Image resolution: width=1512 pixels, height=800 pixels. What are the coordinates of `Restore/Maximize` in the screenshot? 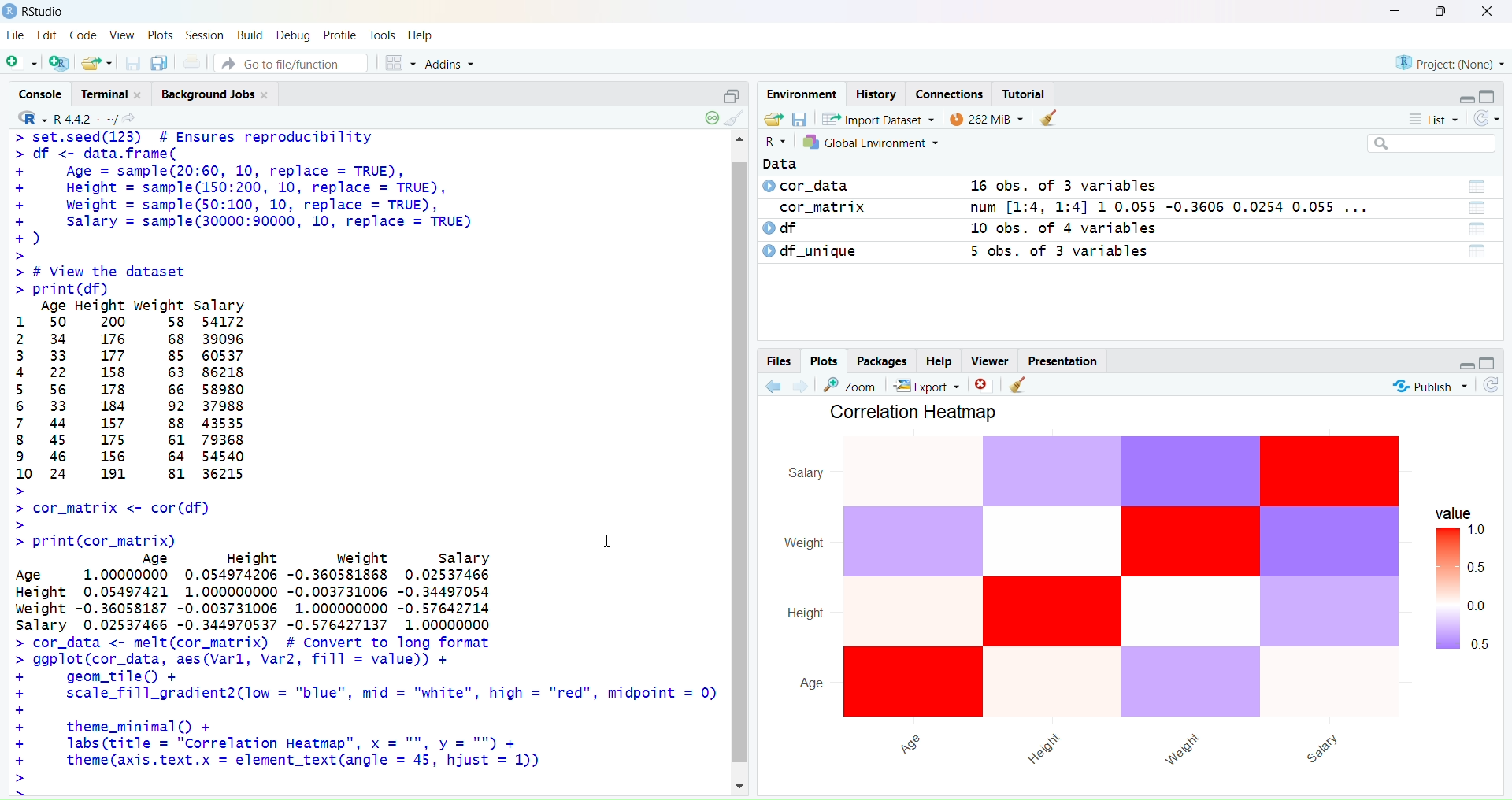 It's located at (727, 94).